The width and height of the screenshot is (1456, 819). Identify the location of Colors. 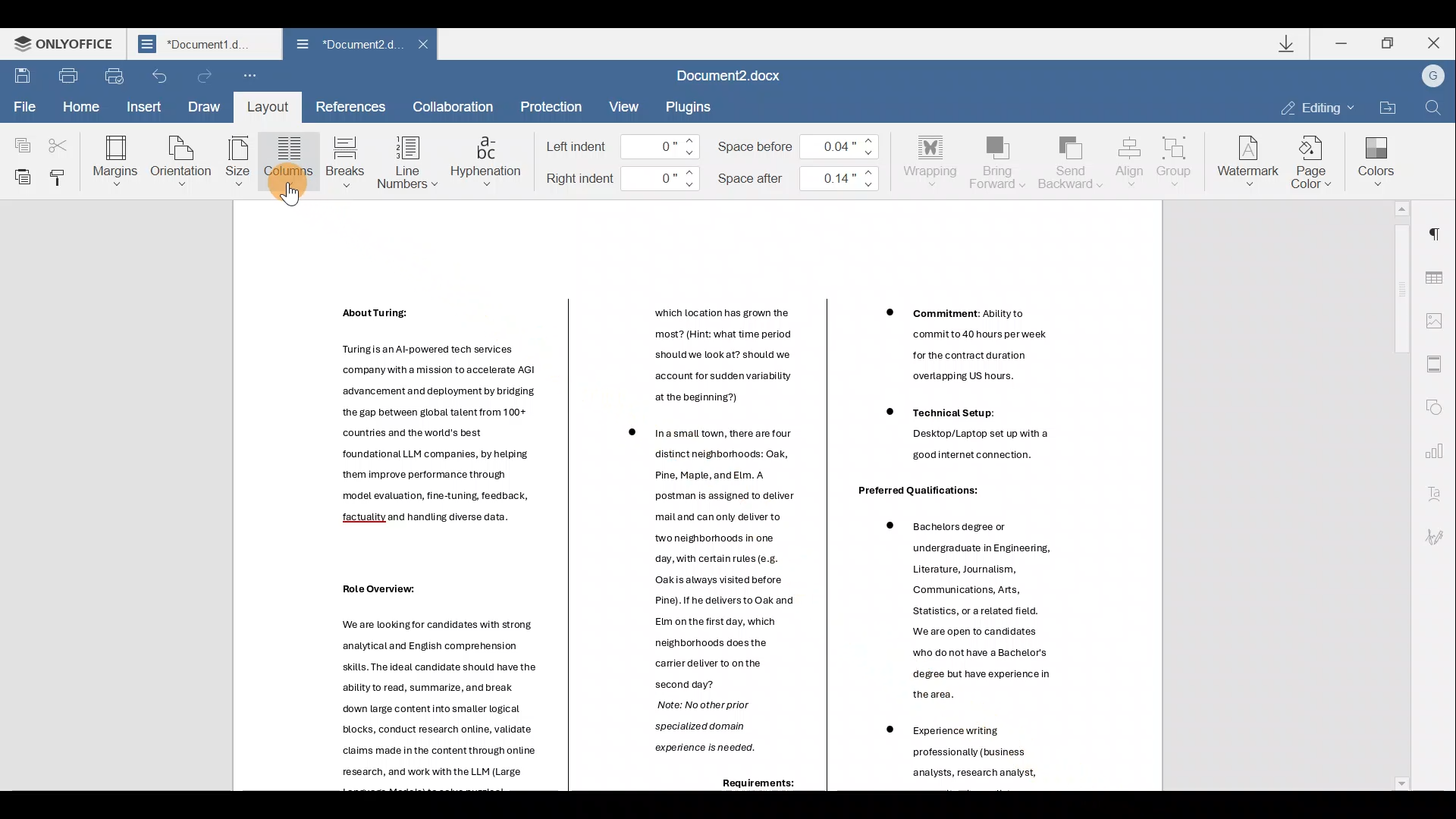
(1376, 157).